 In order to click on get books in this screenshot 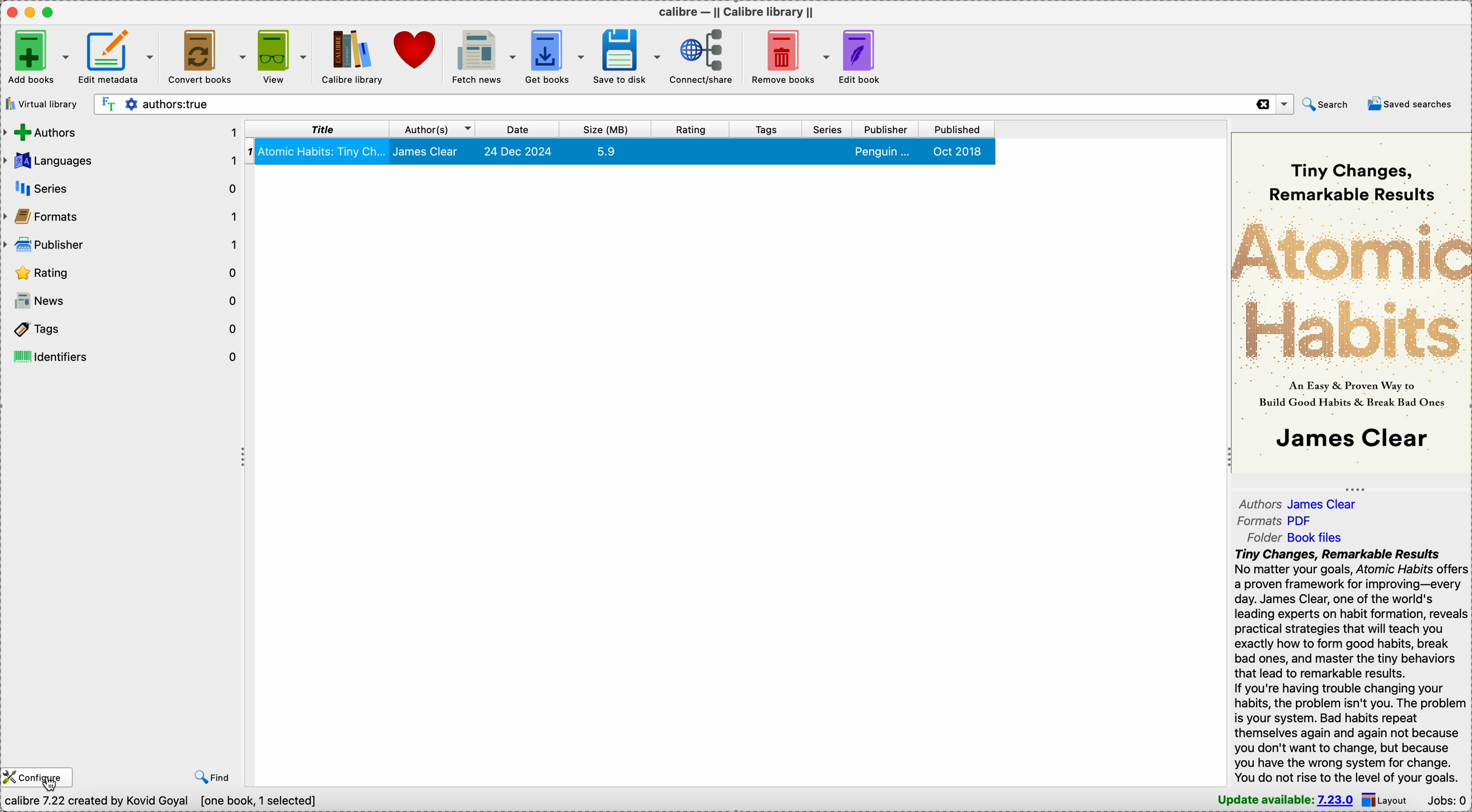, I will do `click(552, 58)`.